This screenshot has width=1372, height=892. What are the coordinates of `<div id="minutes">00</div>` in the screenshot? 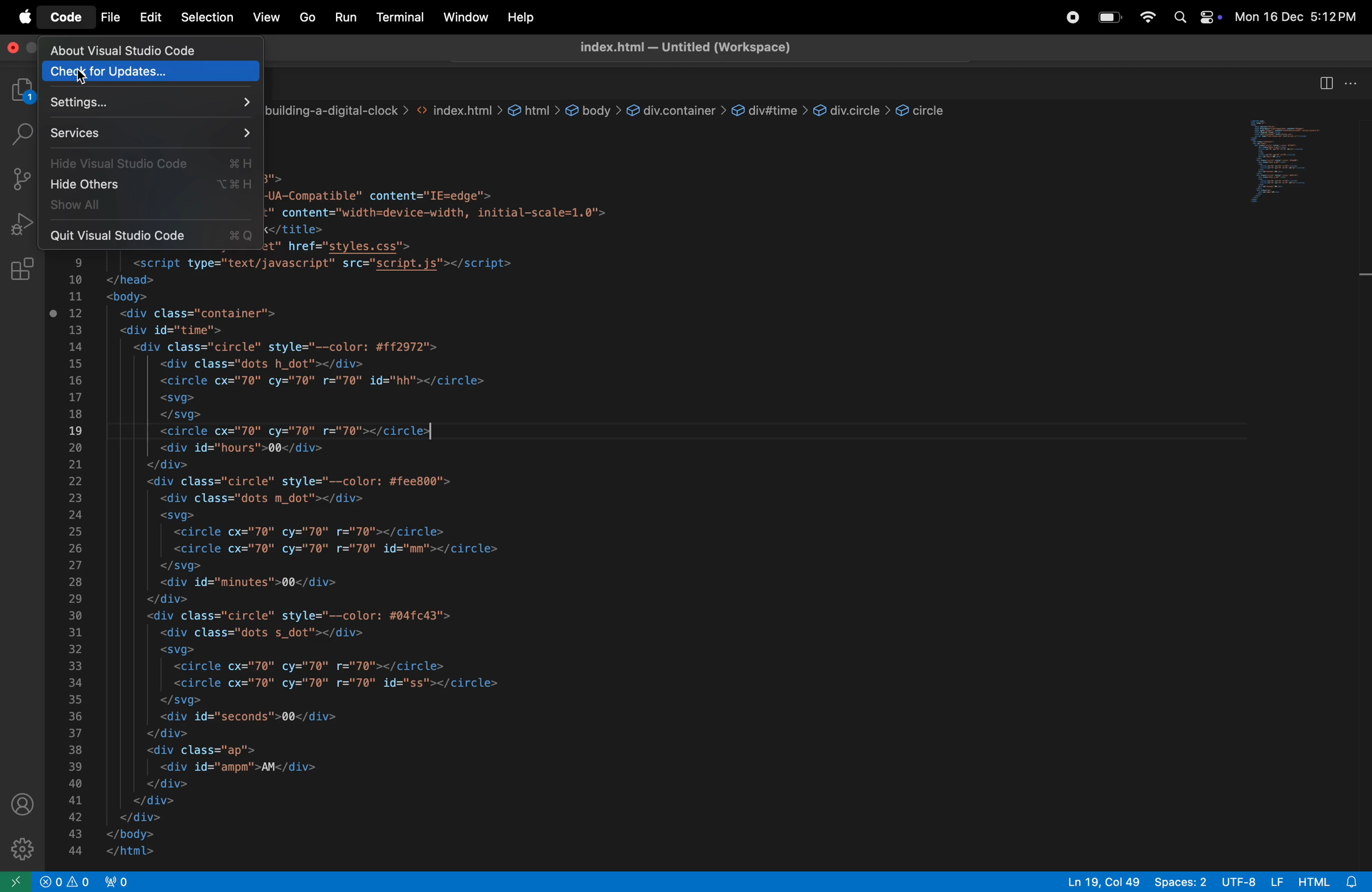 It's located at (257, 582).